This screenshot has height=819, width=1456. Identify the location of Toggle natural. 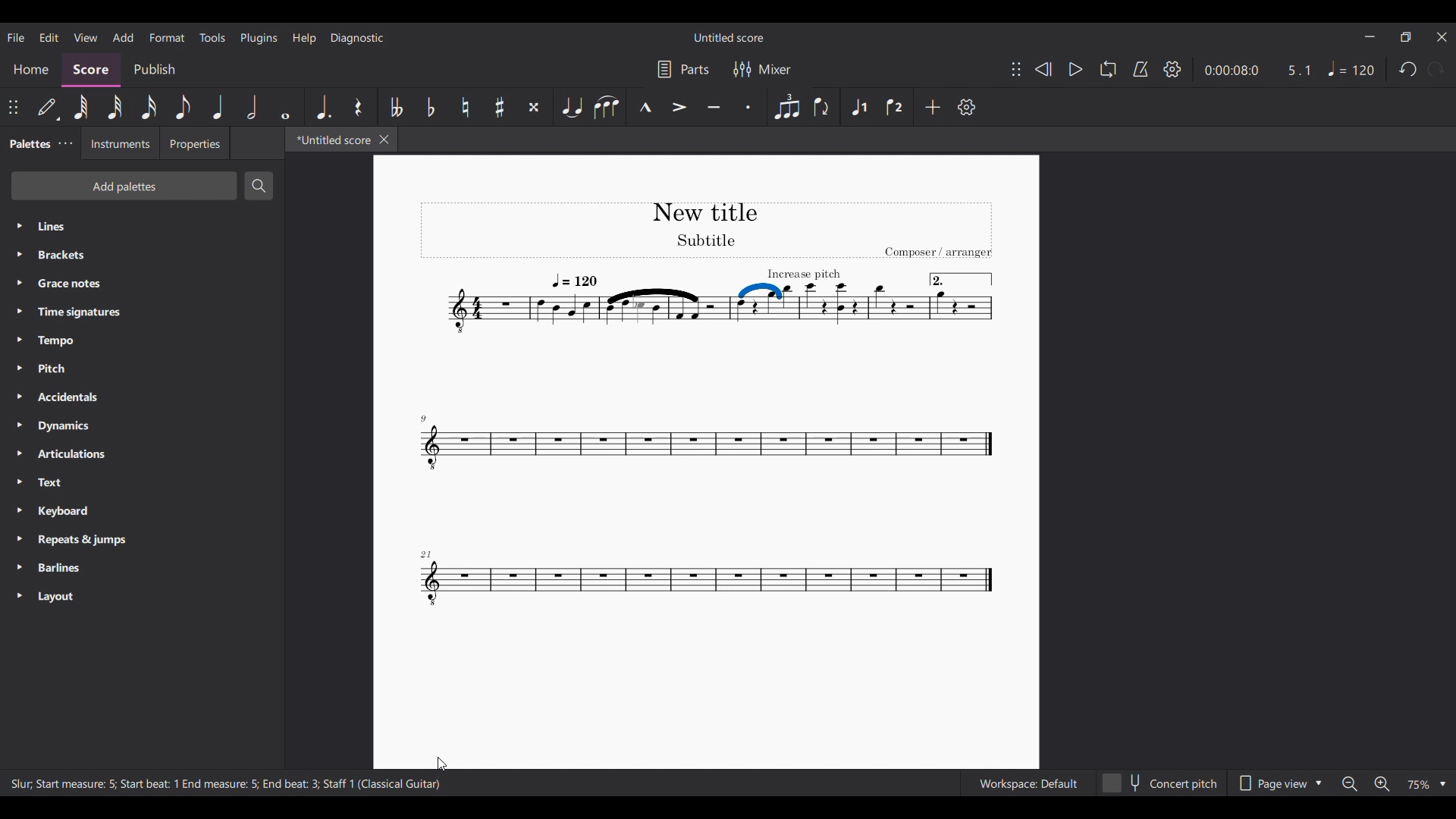
(465, 106).